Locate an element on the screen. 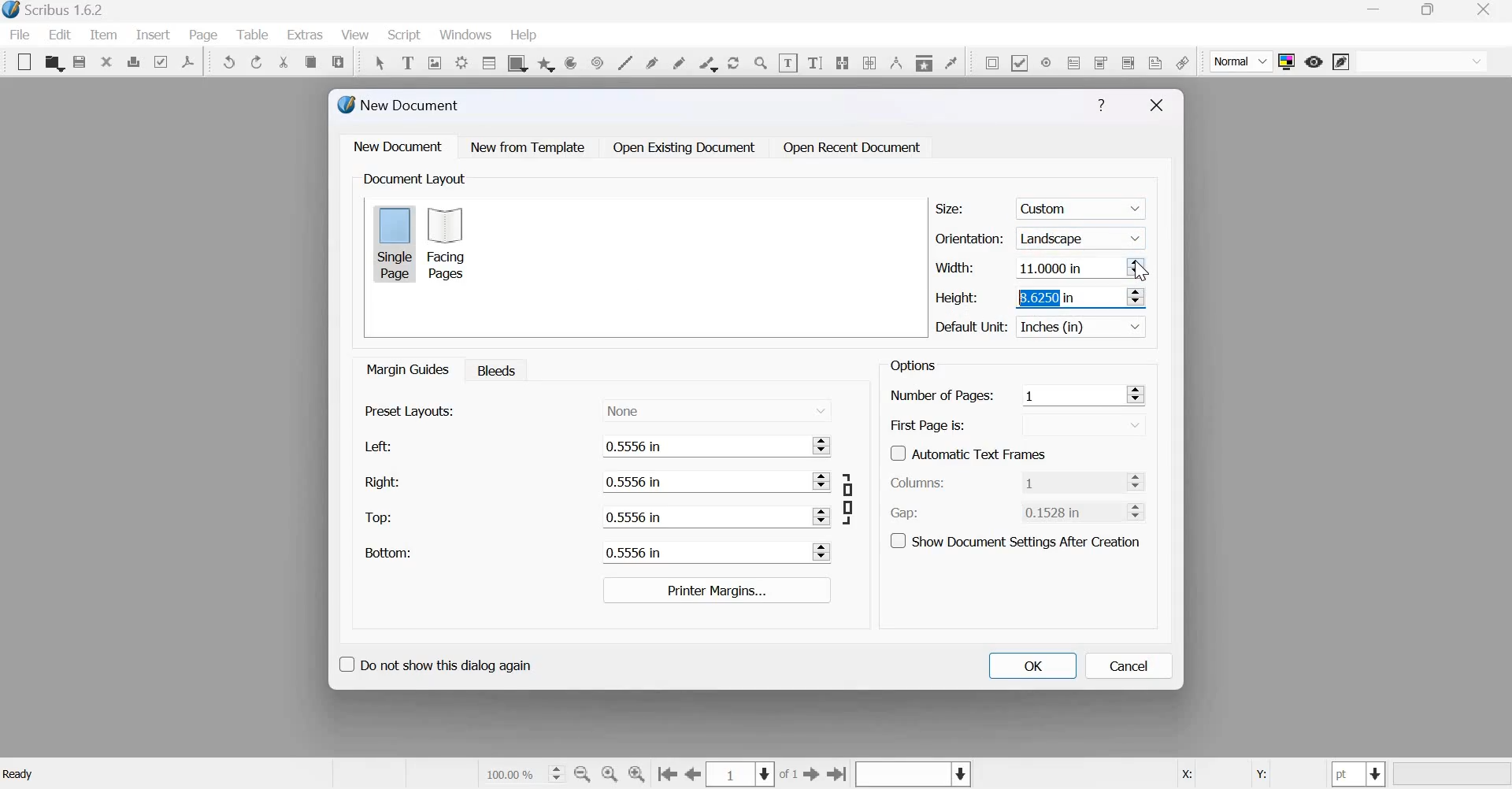 The width and height of the screenshot is (1512, 789). page is located at coordinates (204, 35).